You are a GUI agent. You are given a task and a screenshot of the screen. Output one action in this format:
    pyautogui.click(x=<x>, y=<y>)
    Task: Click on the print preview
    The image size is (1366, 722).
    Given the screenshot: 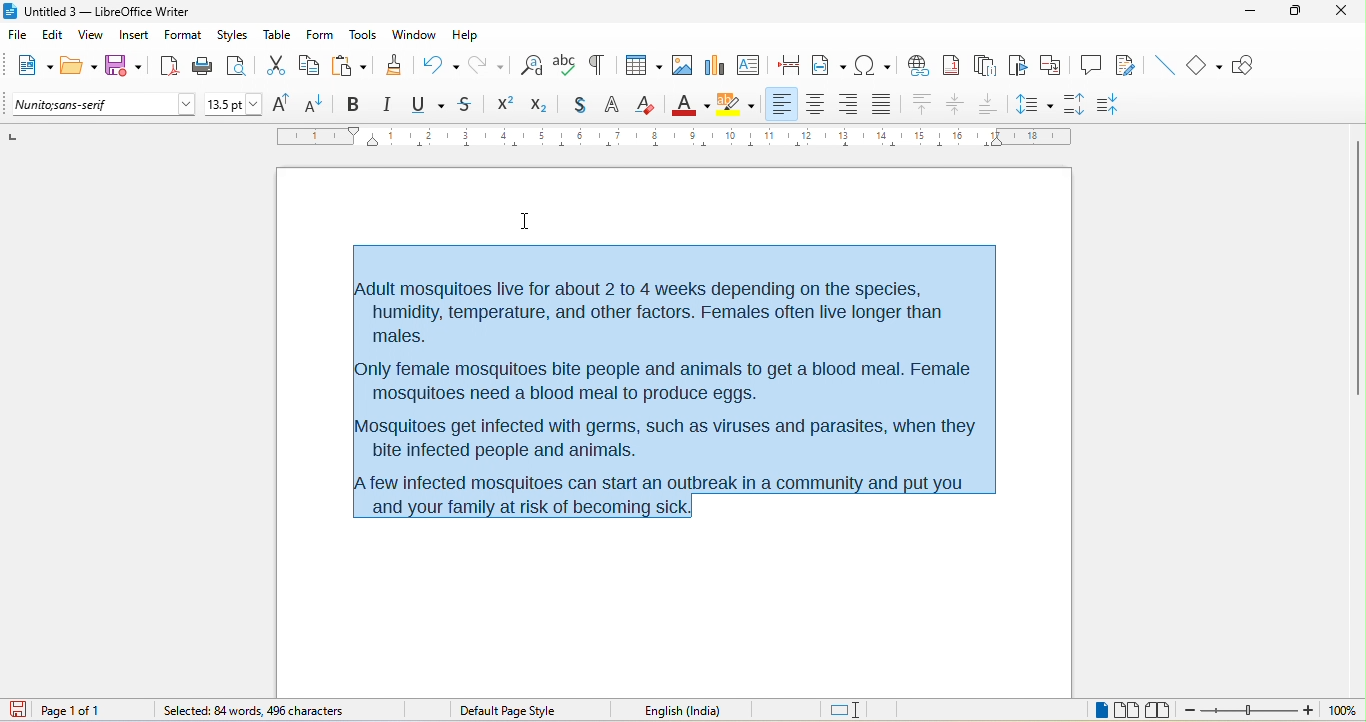 What is the action you would take?
    pyautogui.click(x=241, y=66)
    